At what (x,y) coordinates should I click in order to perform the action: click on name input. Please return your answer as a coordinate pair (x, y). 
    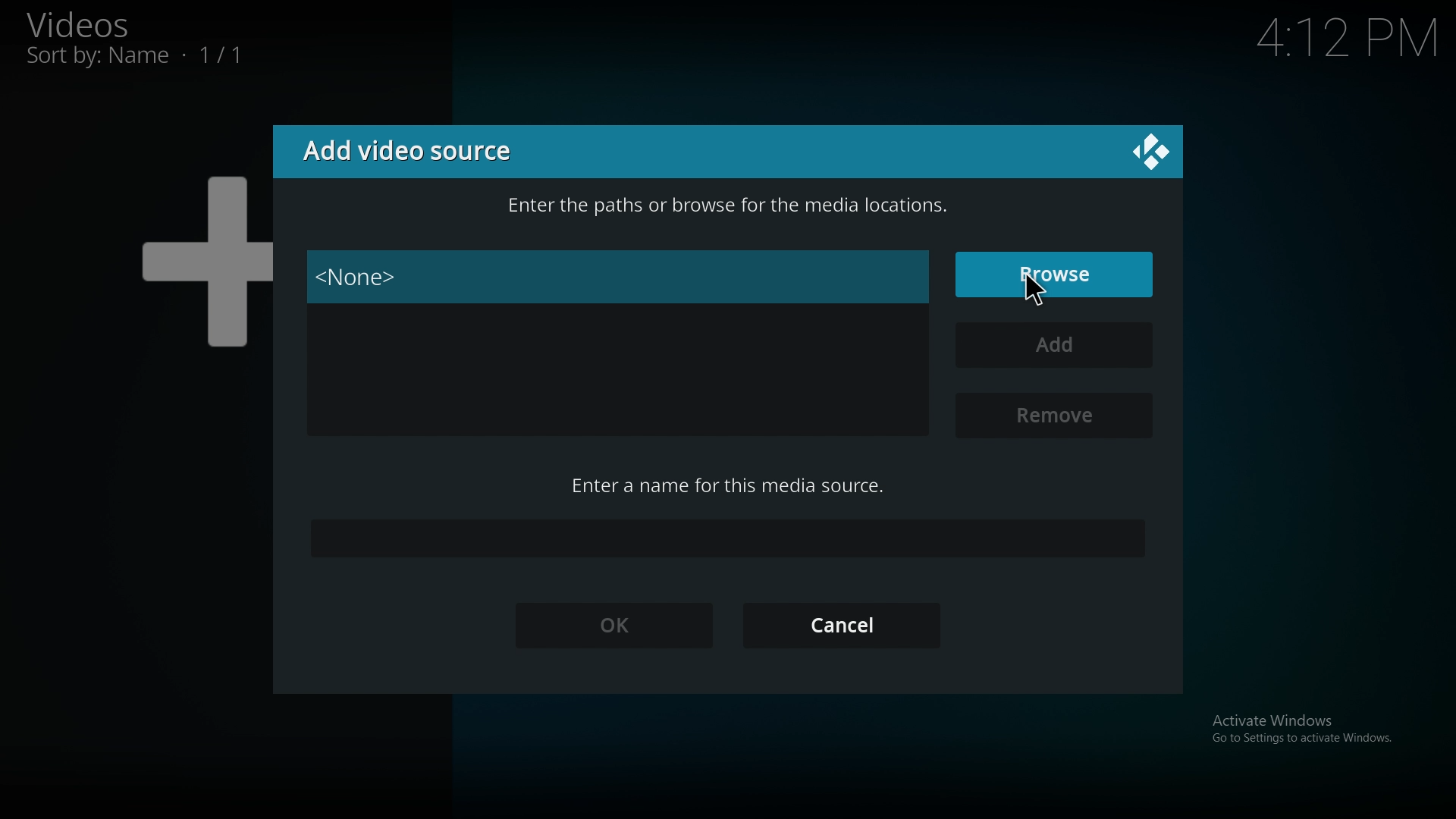
    Looking at the image, I should click on (728, 539).